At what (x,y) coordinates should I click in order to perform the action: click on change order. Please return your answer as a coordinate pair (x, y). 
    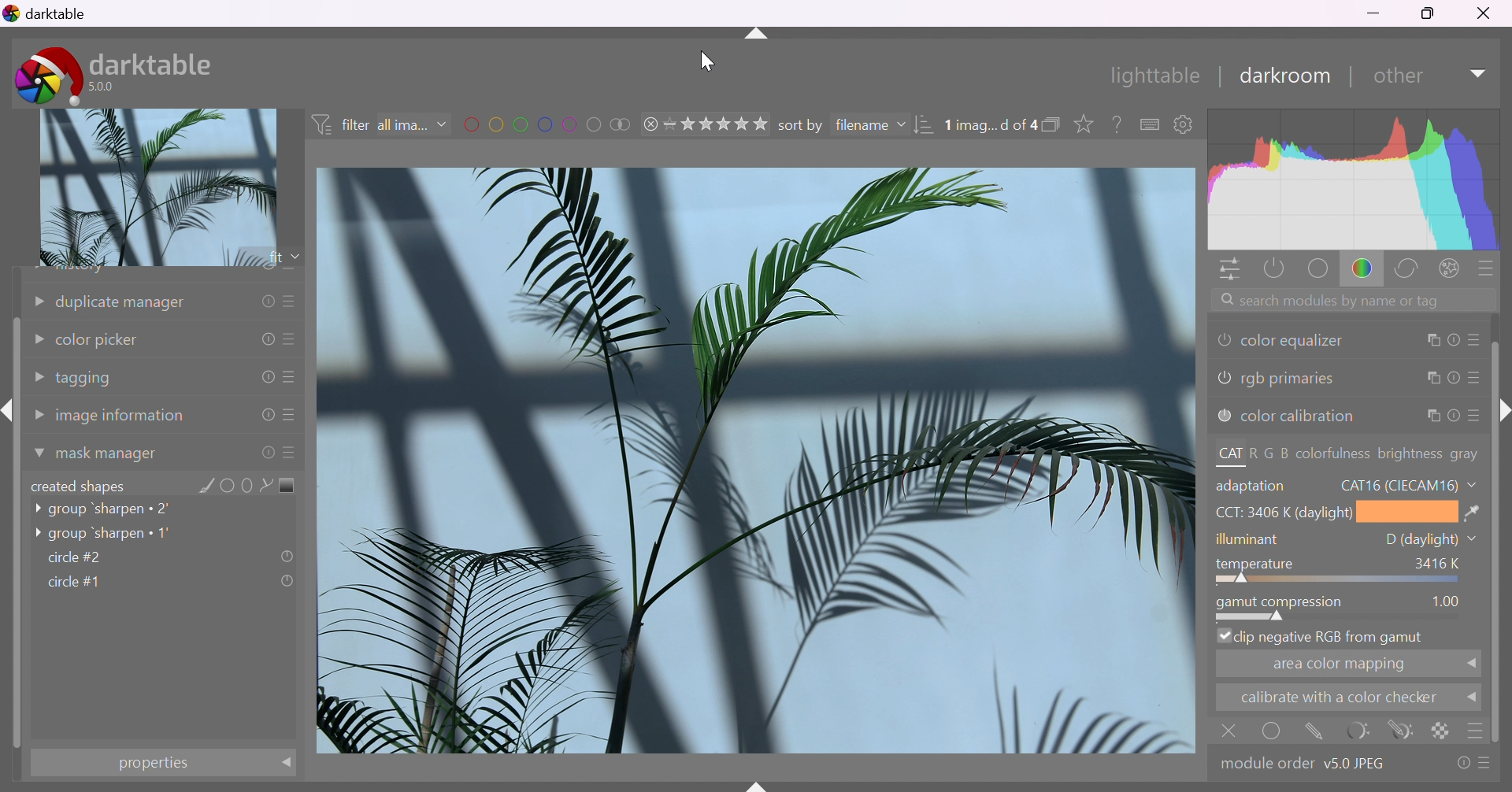
    Looking at the image, I should click on (927, 125).